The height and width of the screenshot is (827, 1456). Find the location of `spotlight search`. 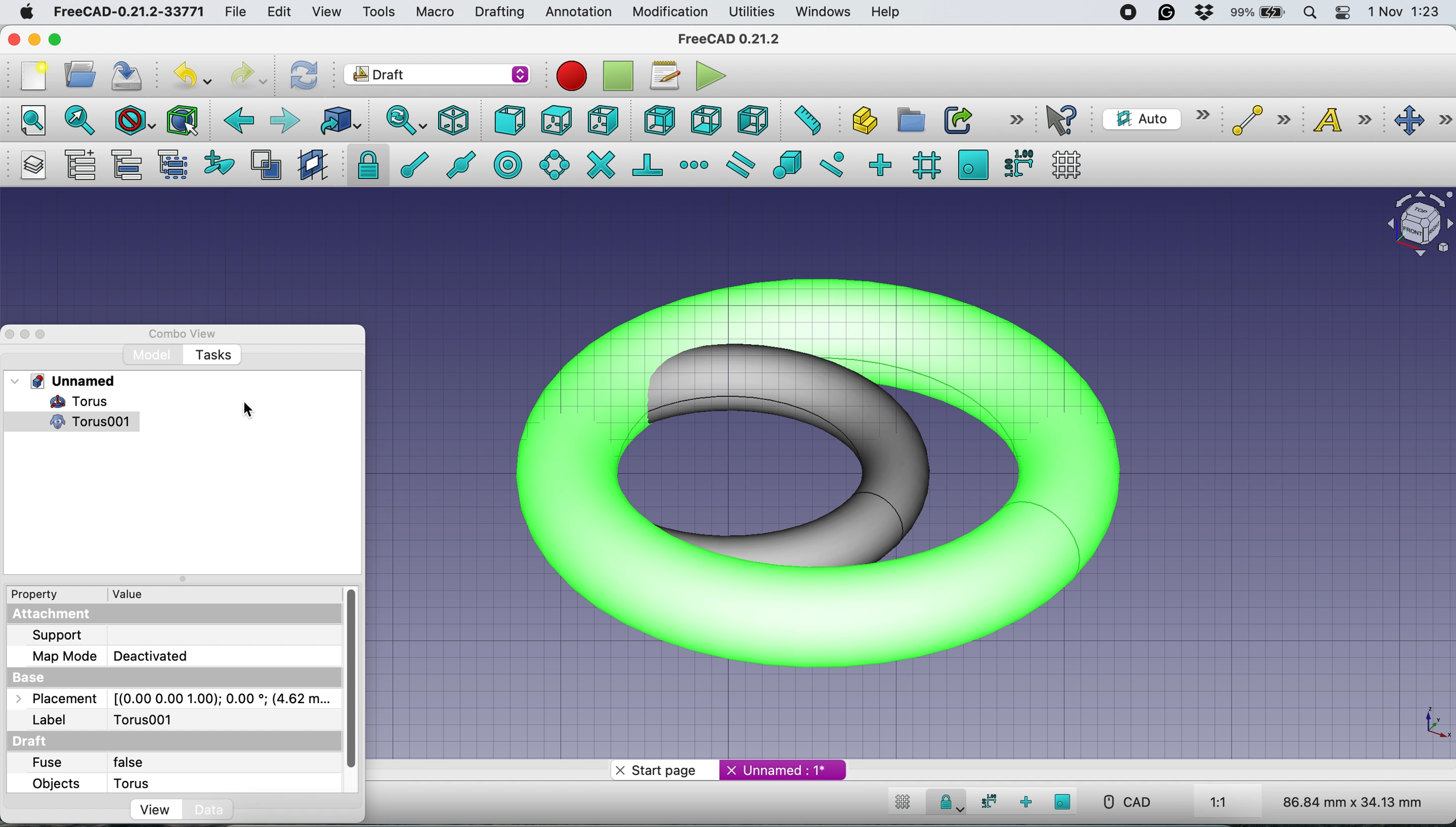

spotlight search is located at coordinates (1312, 11).